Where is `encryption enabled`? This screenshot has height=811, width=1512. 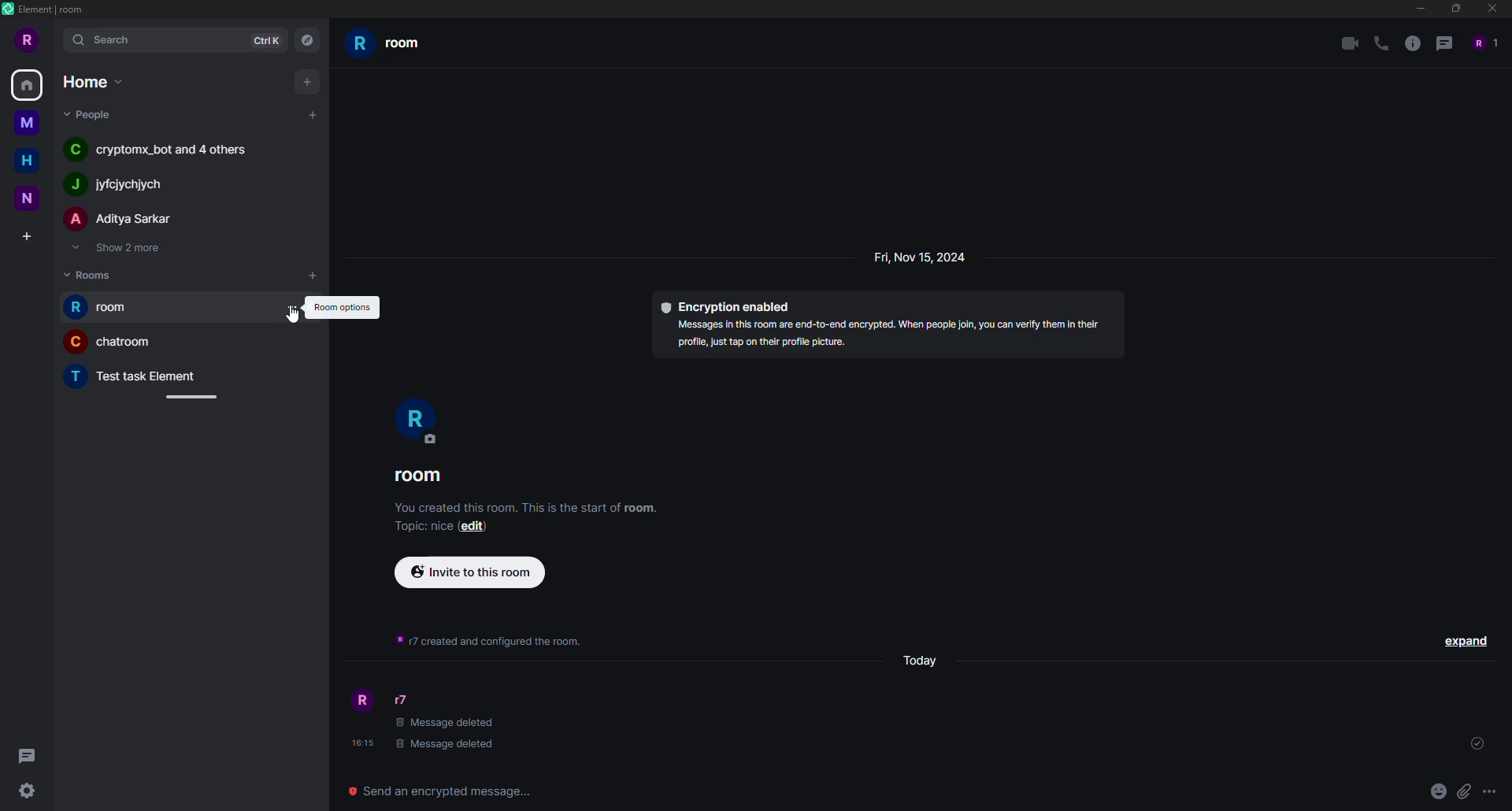
encryption enabled is located at coordinates (728, 306).